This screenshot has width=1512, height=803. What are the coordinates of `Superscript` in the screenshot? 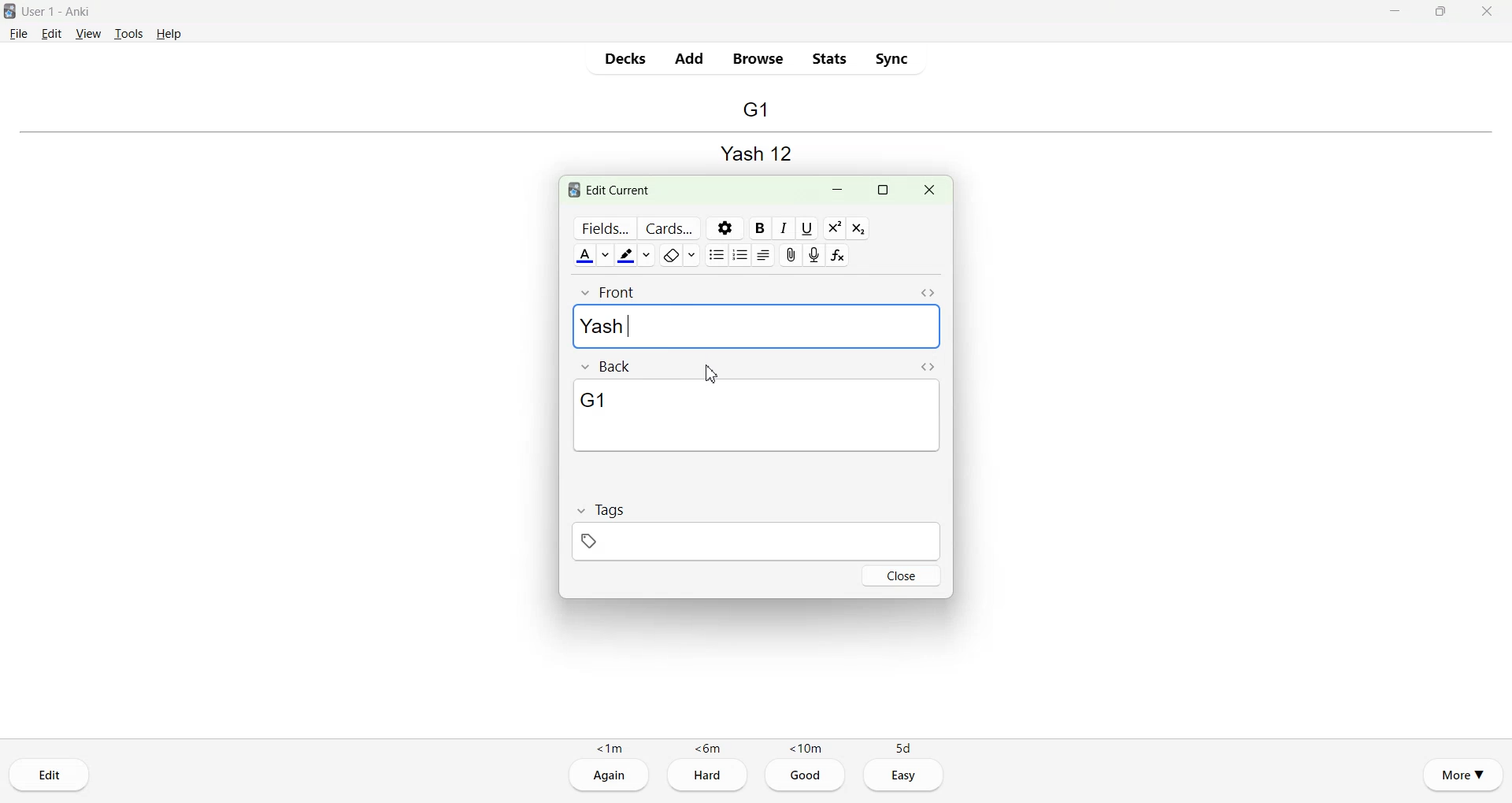 It's located at (835, 228).